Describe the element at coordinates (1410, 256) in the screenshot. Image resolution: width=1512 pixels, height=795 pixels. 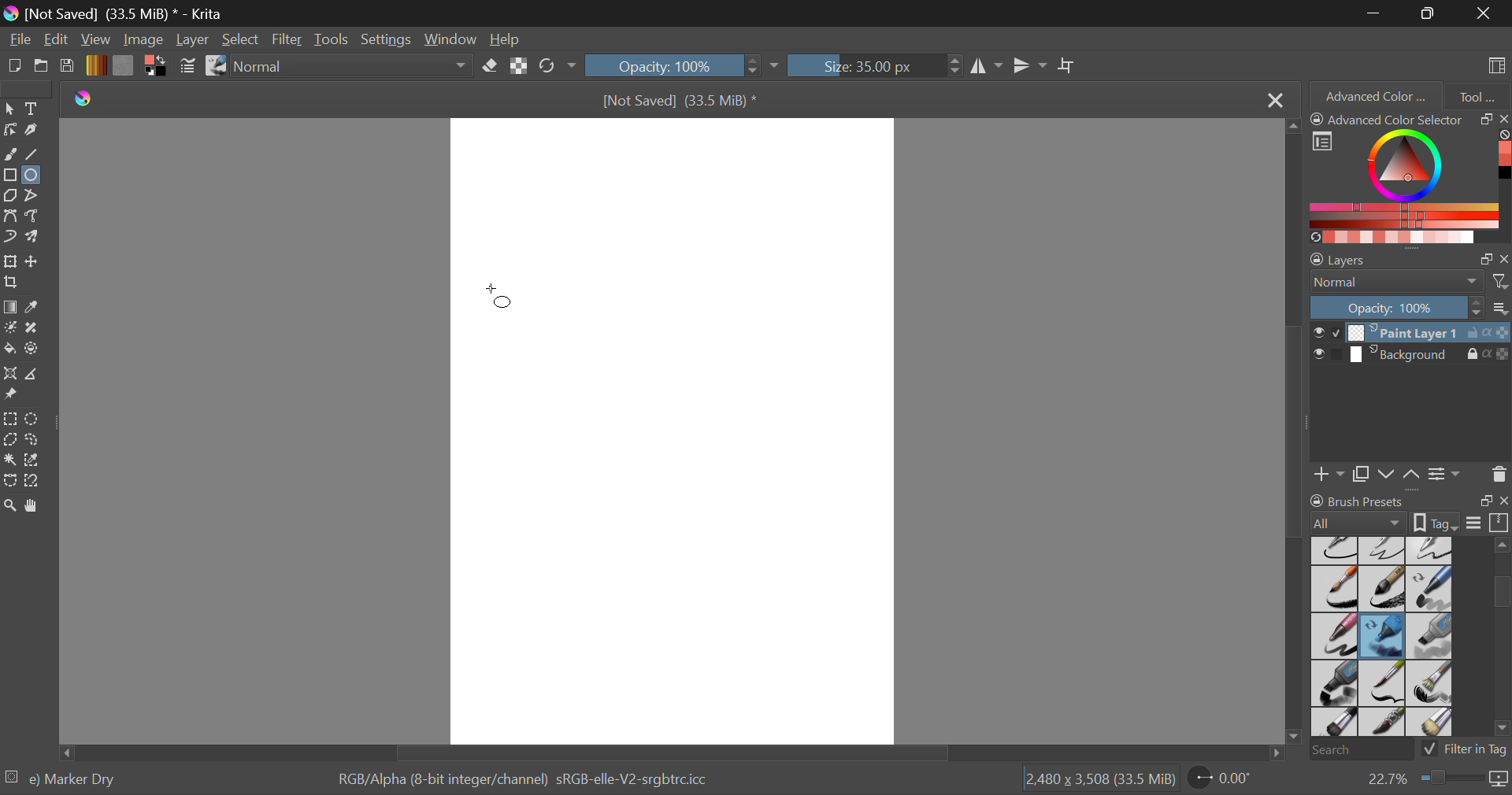
I see `Layer Settings` at that location.